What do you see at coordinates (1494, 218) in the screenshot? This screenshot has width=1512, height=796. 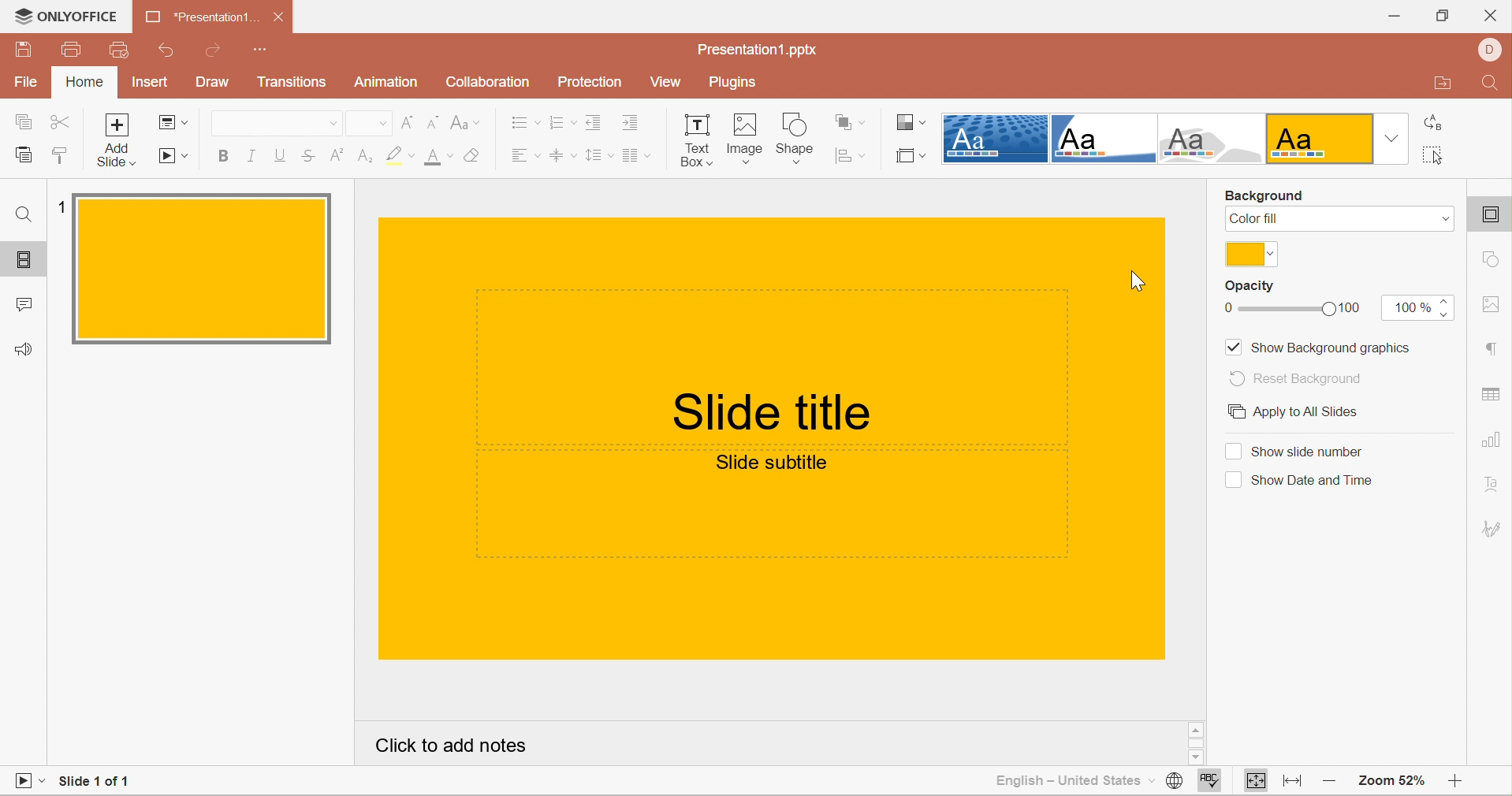 I see `slide settings` at bounding box center [1494, 218].